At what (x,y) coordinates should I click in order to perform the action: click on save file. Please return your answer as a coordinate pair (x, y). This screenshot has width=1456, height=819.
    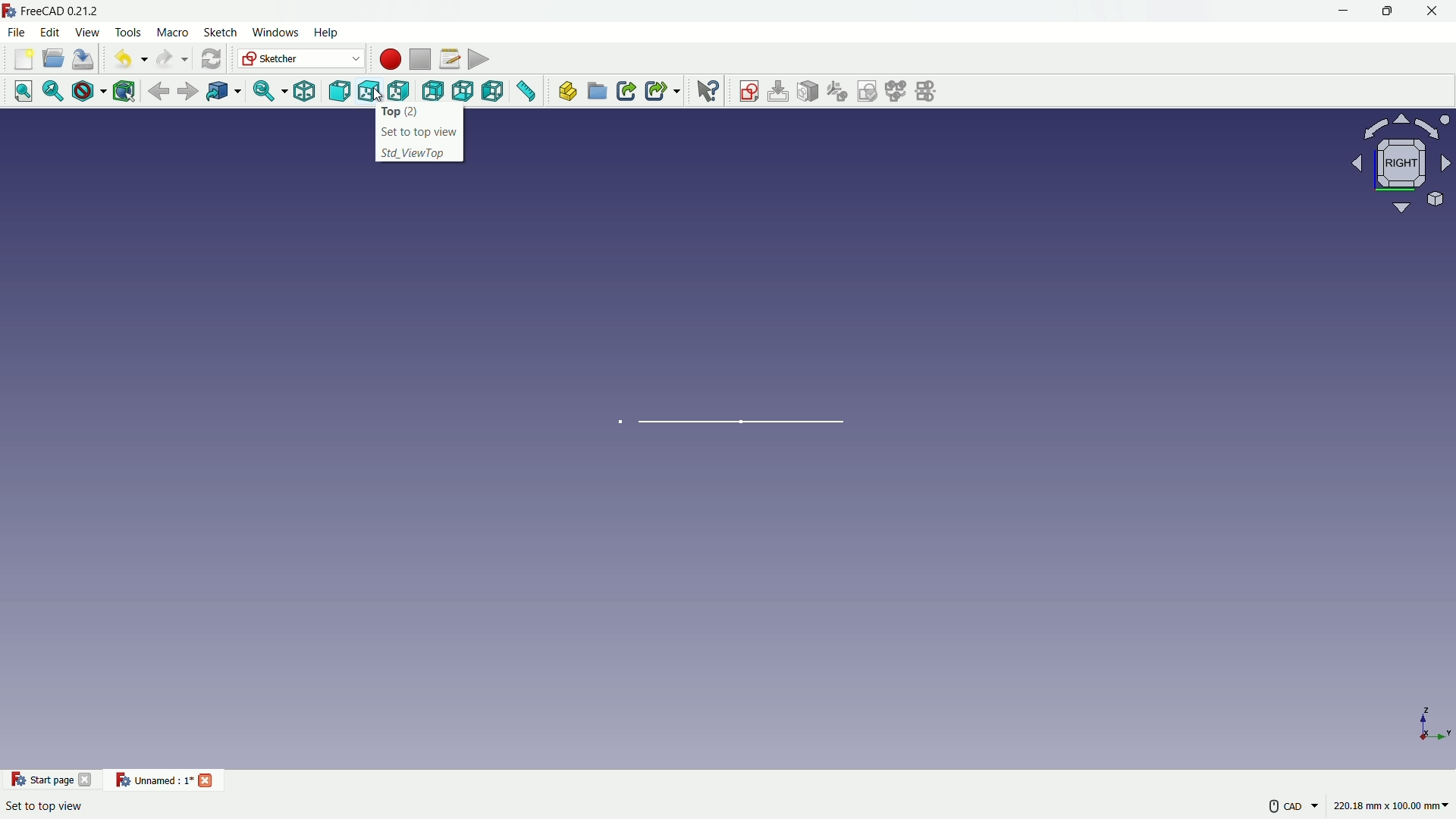
    Looking at the image, I should click on (85, 58).